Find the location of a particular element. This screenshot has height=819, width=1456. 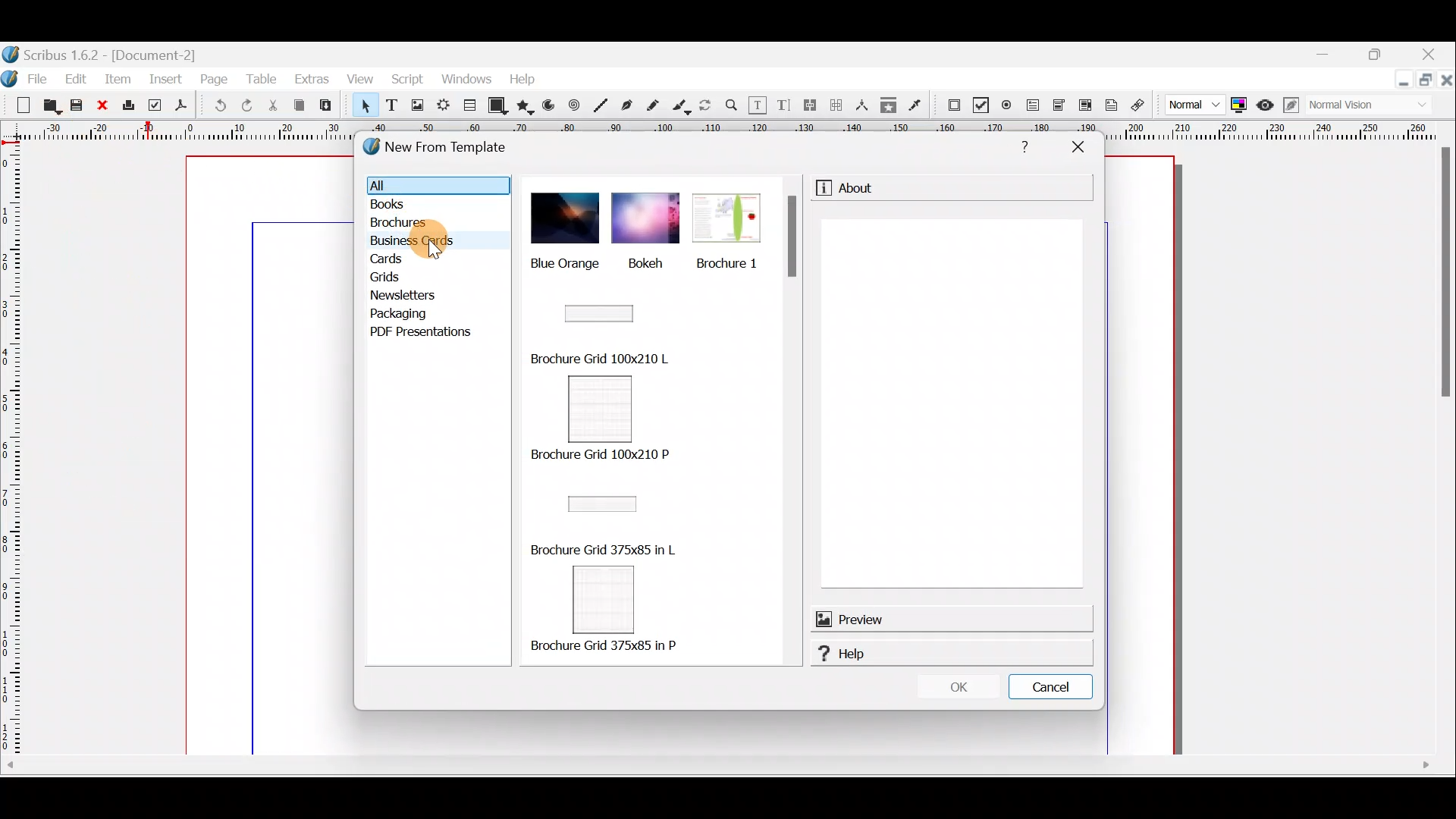

Text frame is located at coordinates (392, 108).